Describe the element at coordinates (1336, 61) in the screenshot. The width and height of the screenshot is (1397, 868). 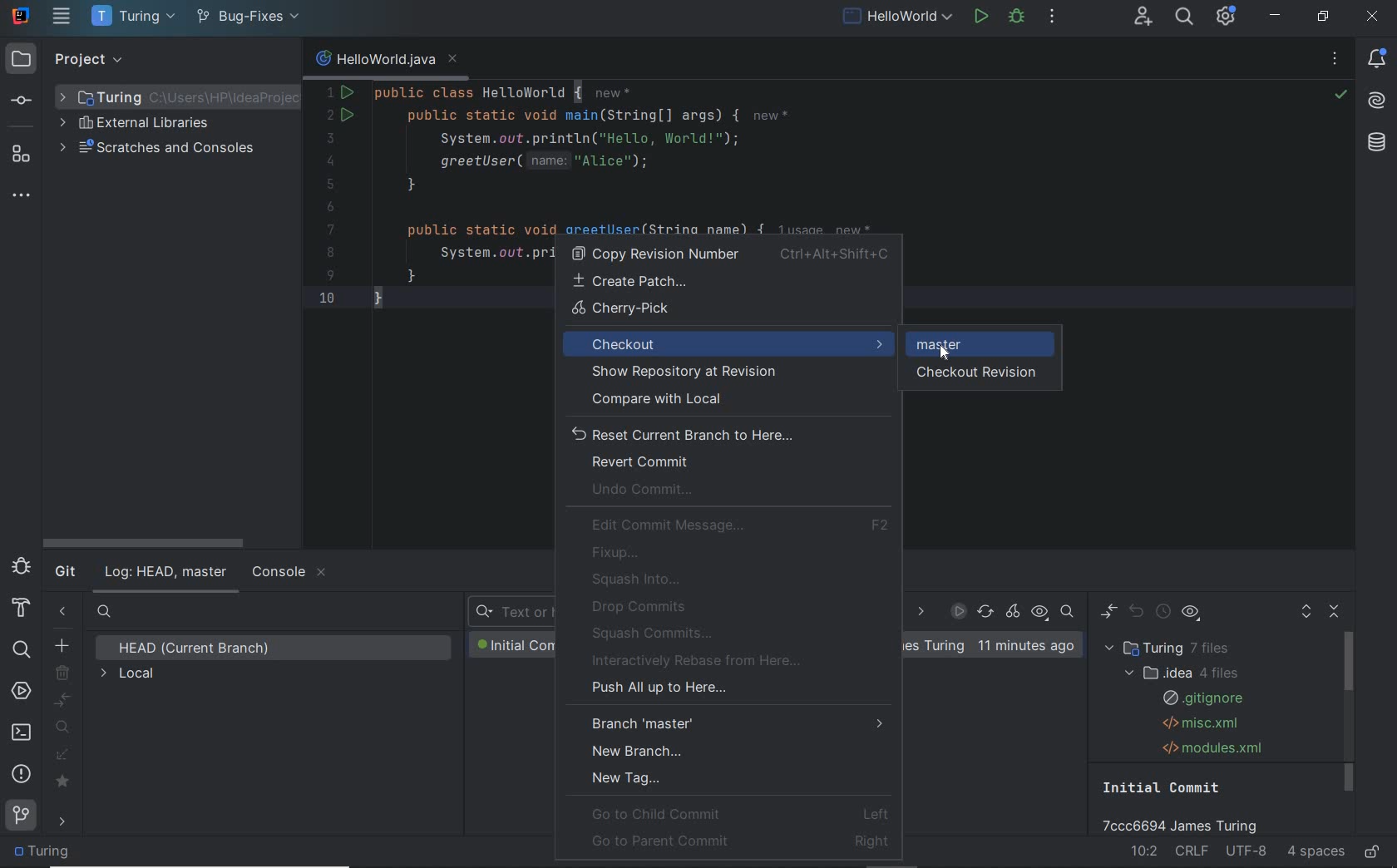
I see `recent files, tab options` at that location.